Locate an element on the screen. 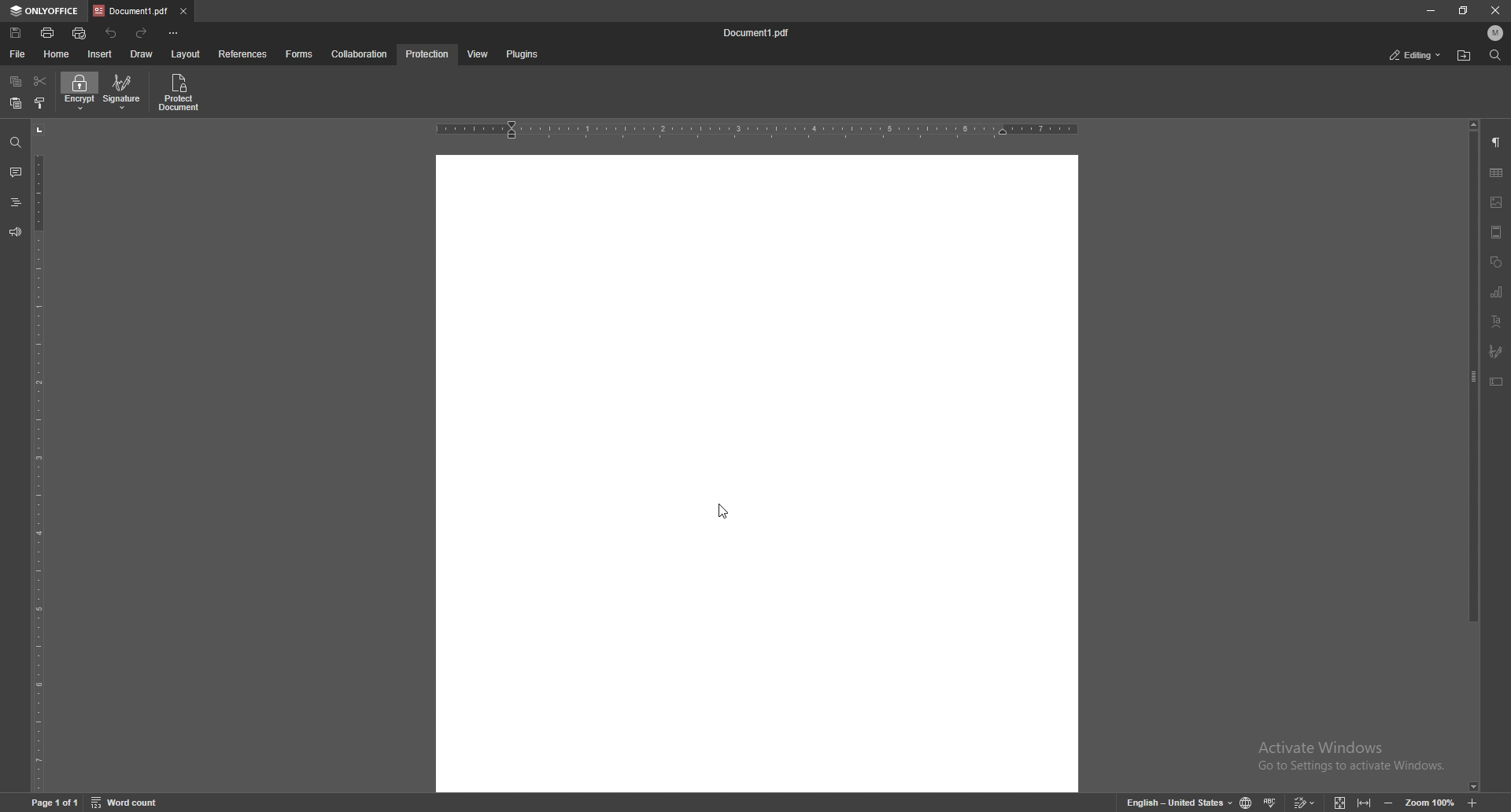 Image resolution: width=1511 pixels, height=812 pixels. close tab is located at coordinates (183, 10).